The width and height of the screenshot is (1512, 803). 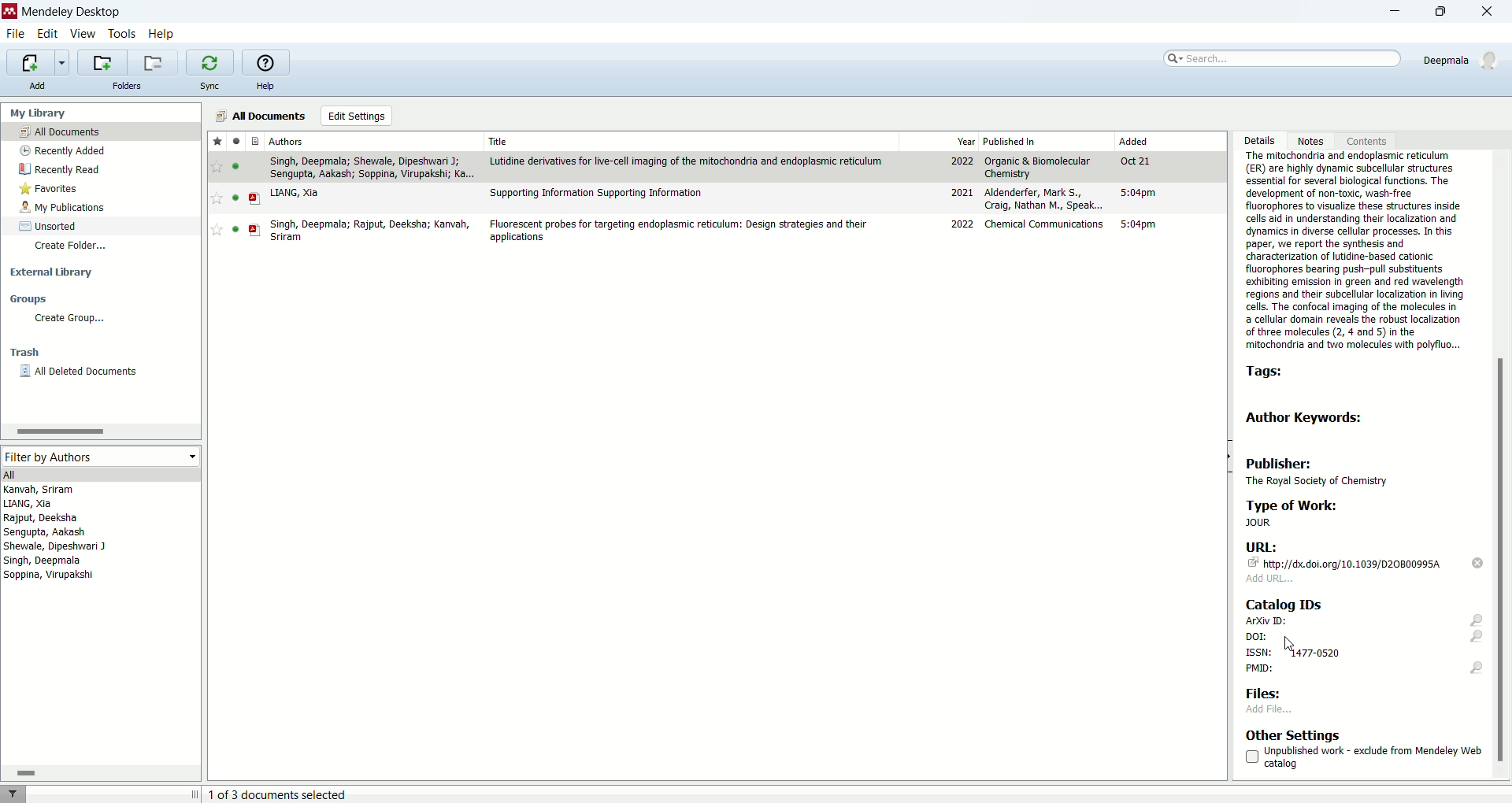 What do you see at coordinates (1363, 757) in the screenshot?
I see `unpublished work - exclude from mendeley web catalog` at bounding box center [1363, 757].